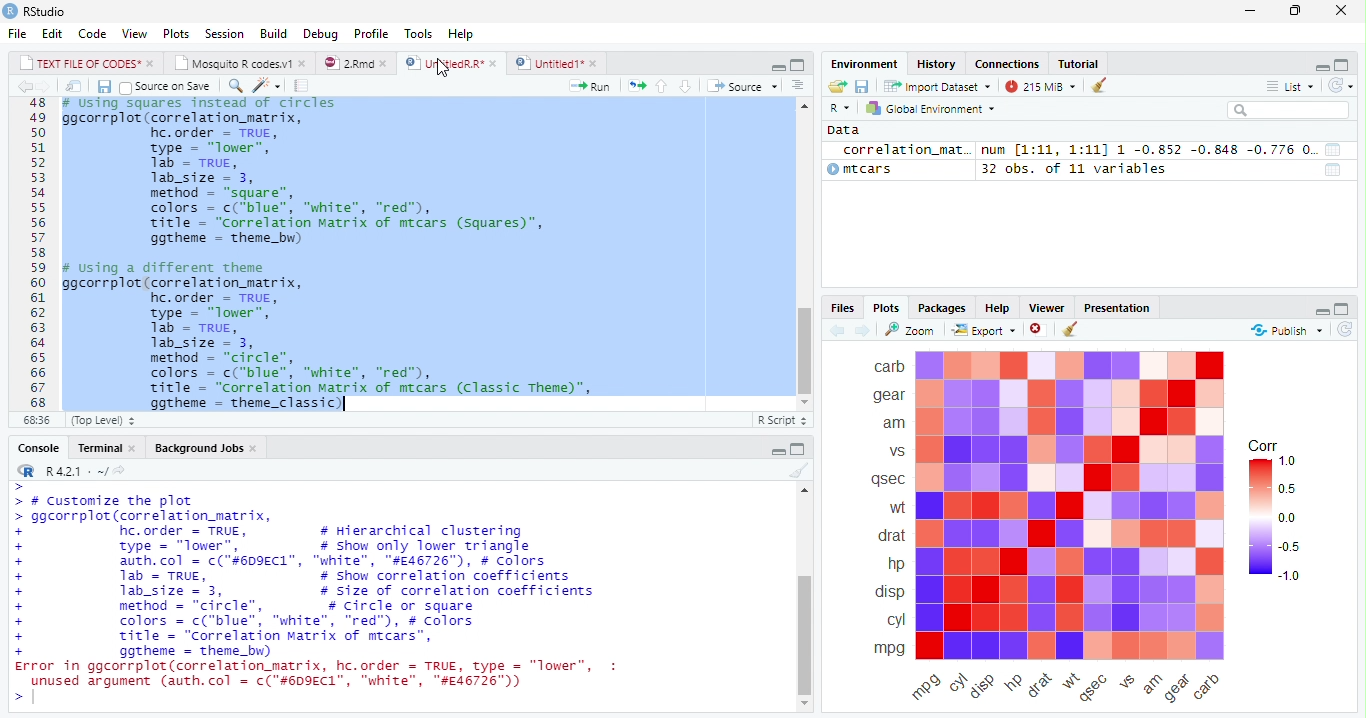 Image resolution: width=1366 pixels, height=718 pixels. What do you see at coordinates (1295, 13) in the screenshot?
I see `maximize` at bounding box center [1295, 13].